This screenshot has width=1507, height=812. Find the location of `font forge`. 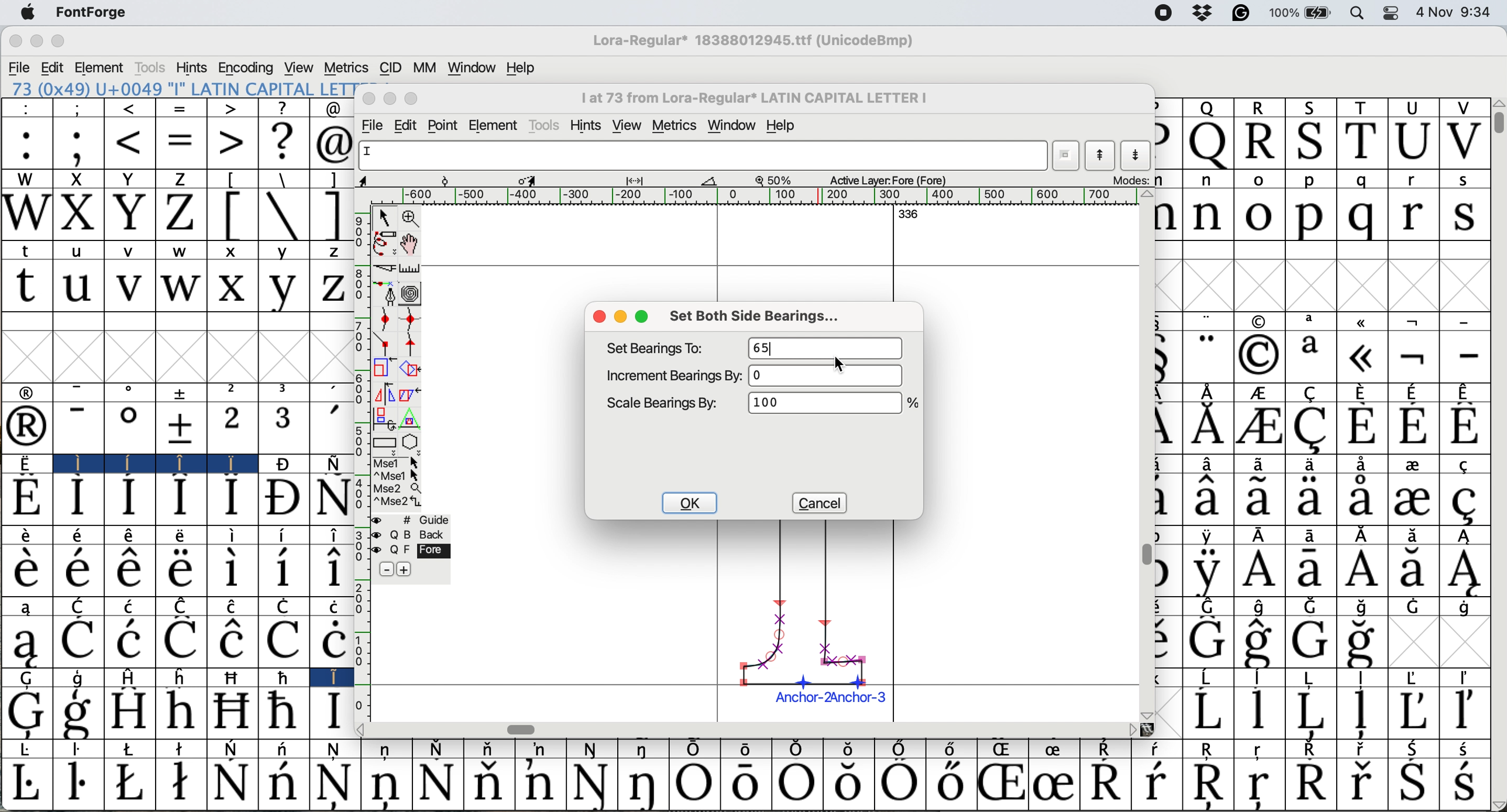

font forge is located at coordinates (98, 12).